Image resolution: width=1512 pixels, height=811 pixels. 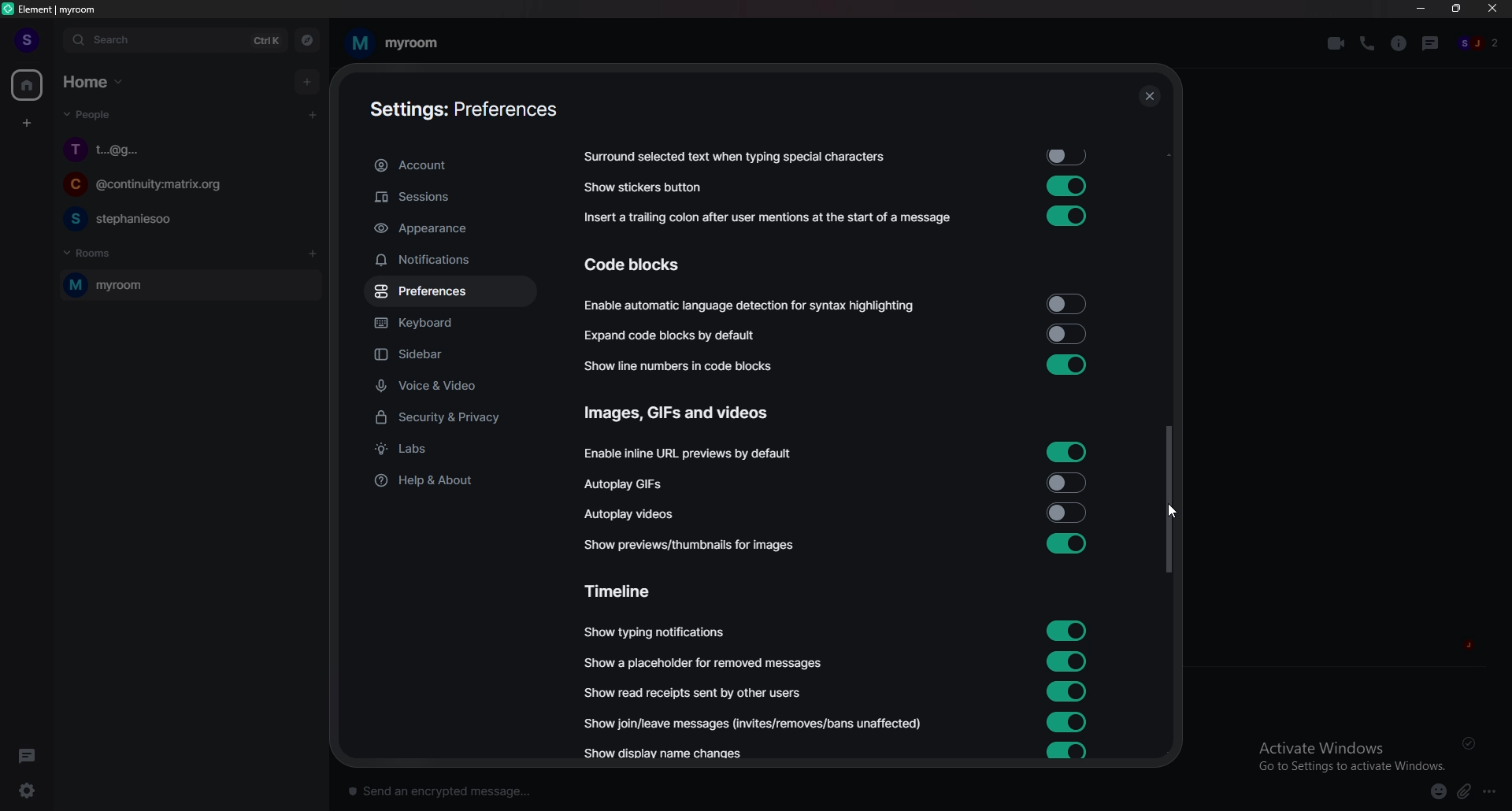 What do you see at coordinates (695, 545) in the screenshot?
I see `show previews for images` at bounding box center [695, 545].